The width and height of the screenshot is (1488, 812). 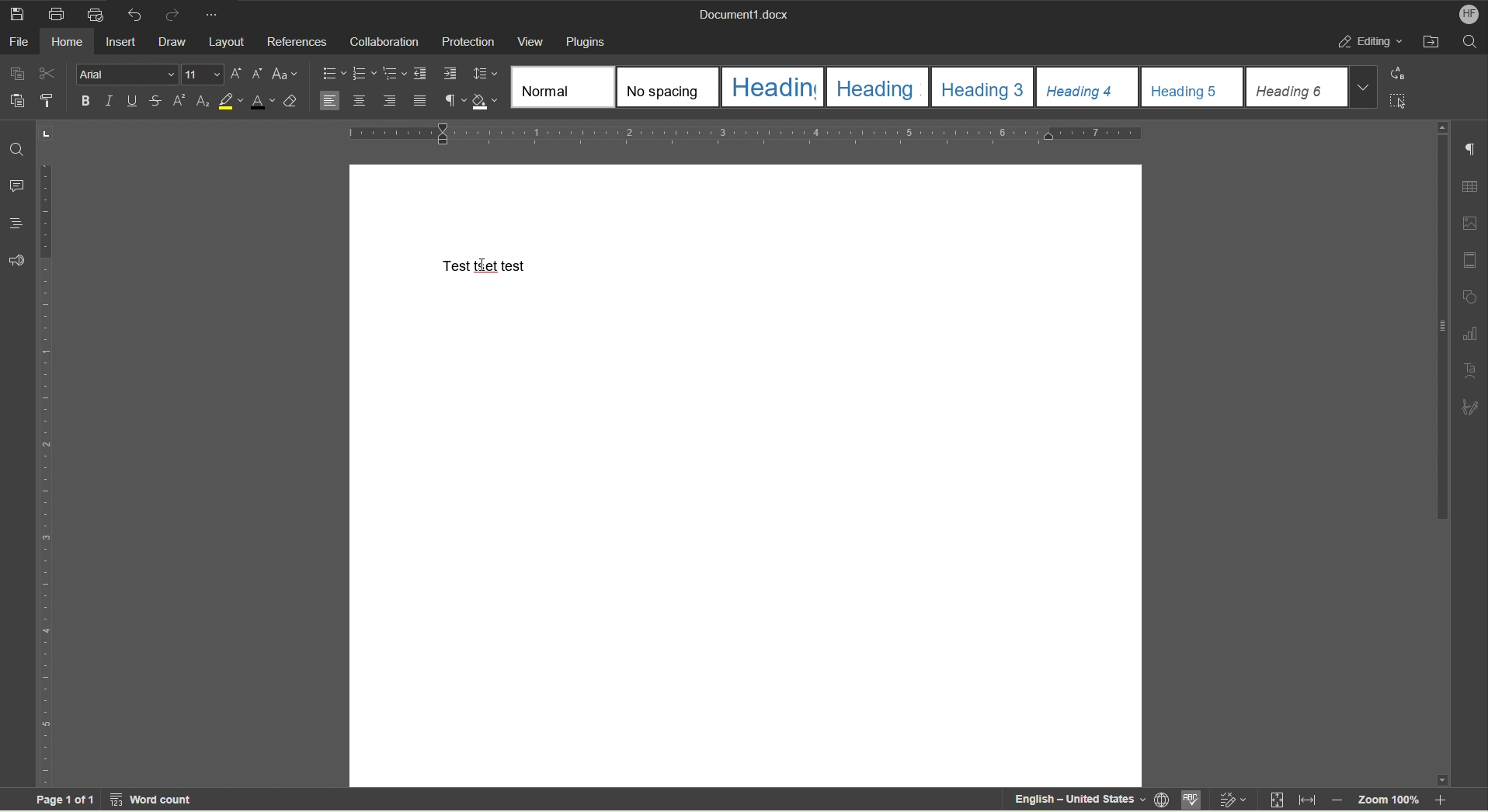 What do you see at coordinates (330, 101) in the screenshot?
I see `Left Align` at bounding box center [330, 101].